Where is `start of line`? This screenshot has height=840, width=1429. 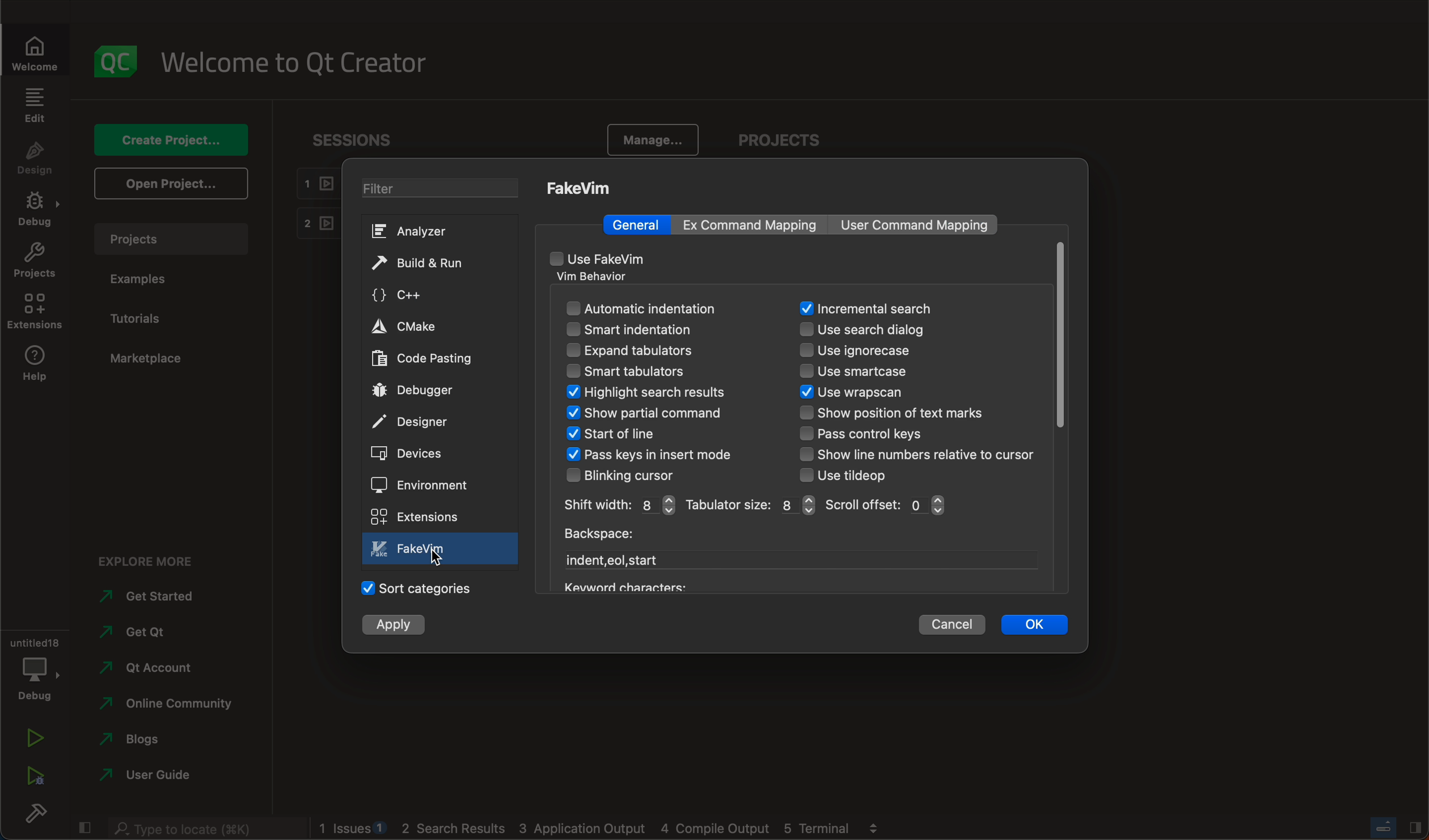
start of line is located at coordinates (618, 434).